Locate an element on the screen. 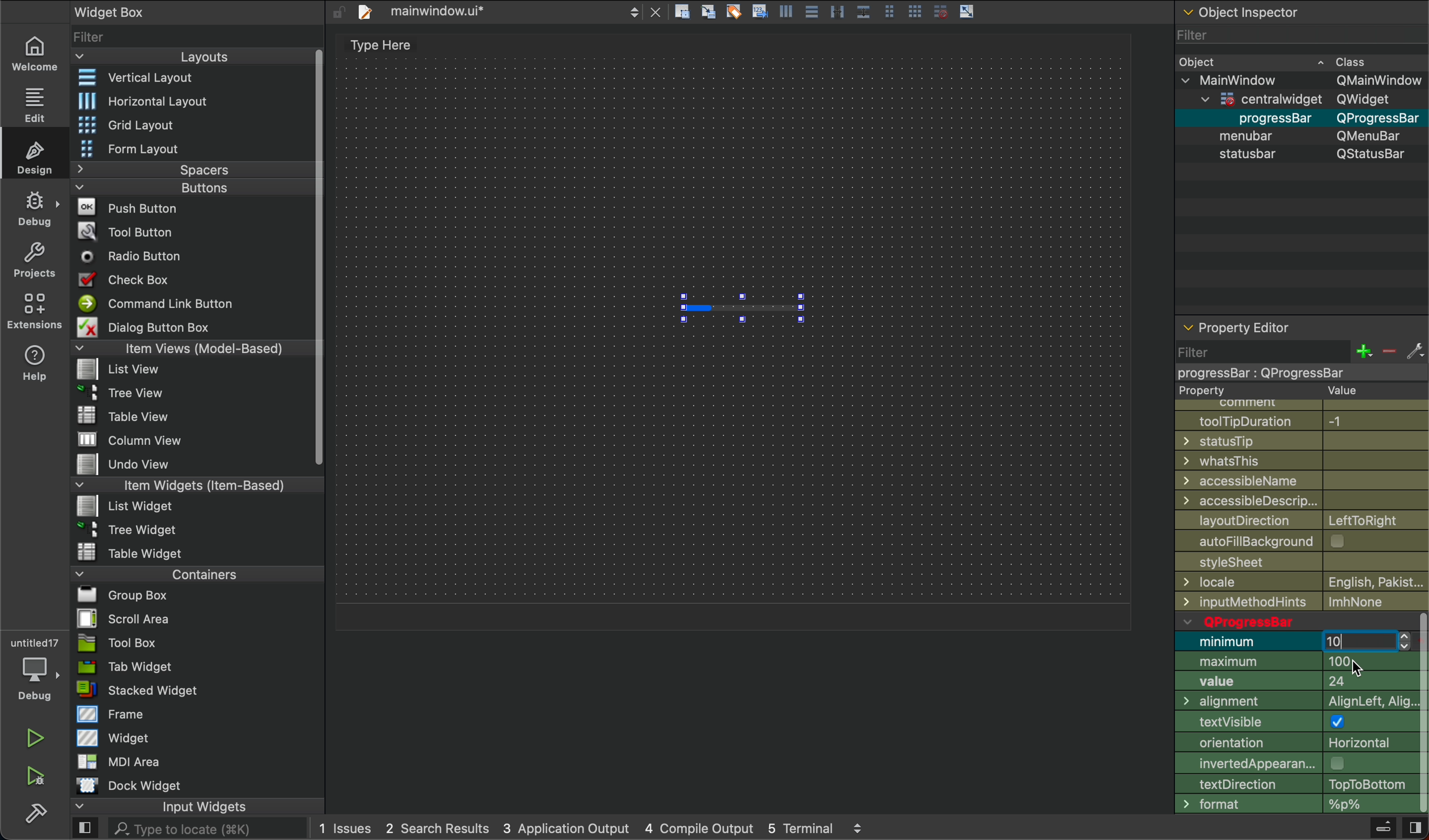  Buttons is located at coordinates (171, 188).